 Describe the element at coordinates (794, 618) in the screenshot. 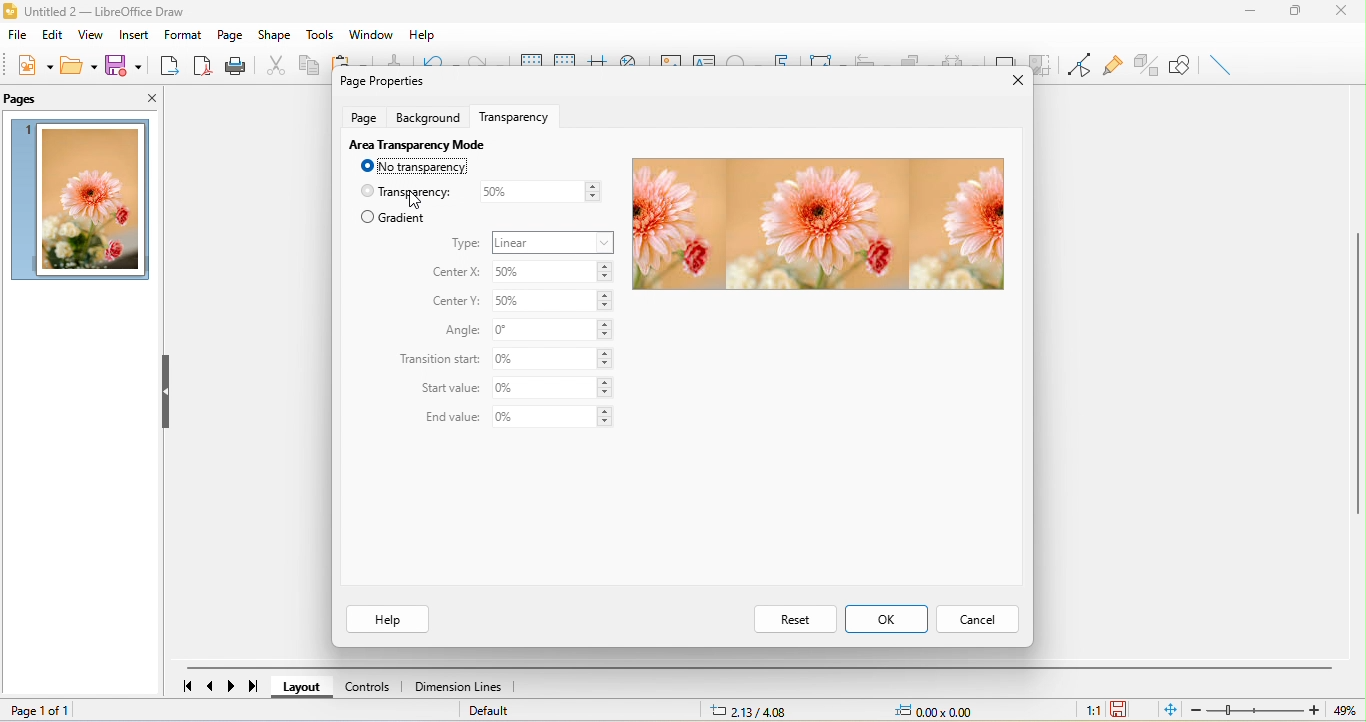

I see `reset` at that location.